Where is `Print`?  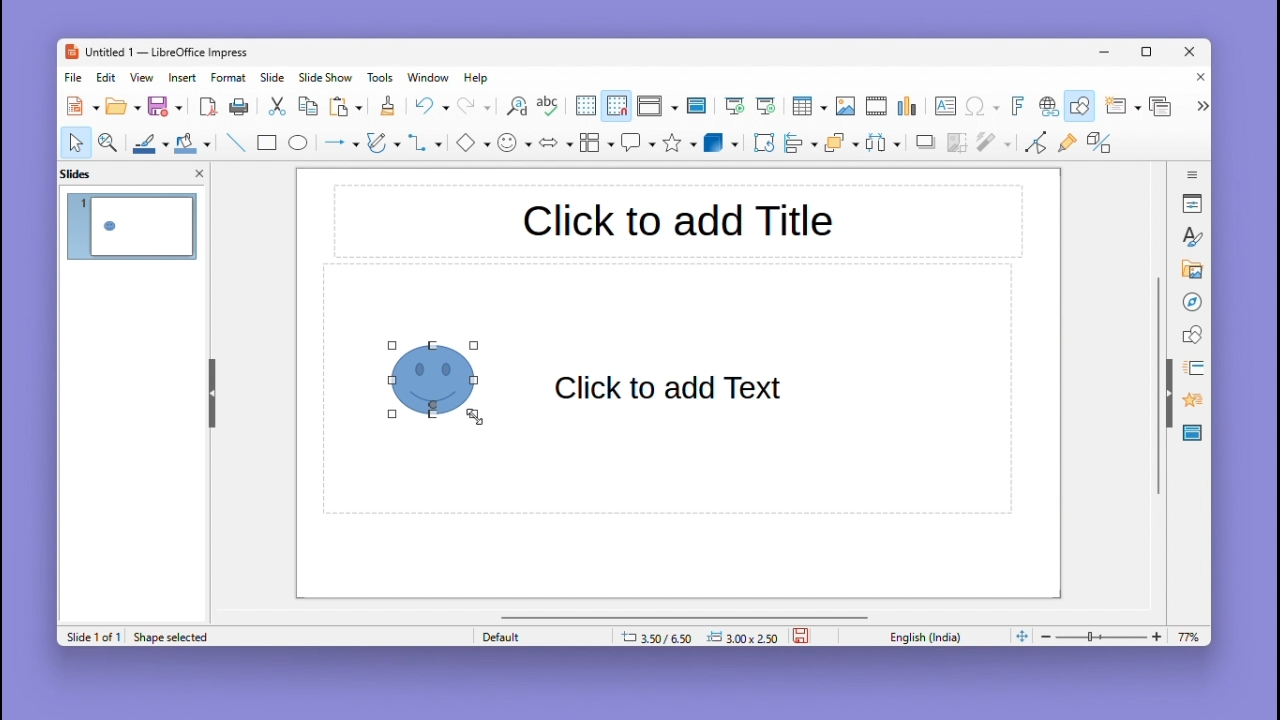 Print is located at coordinates (239, 107).